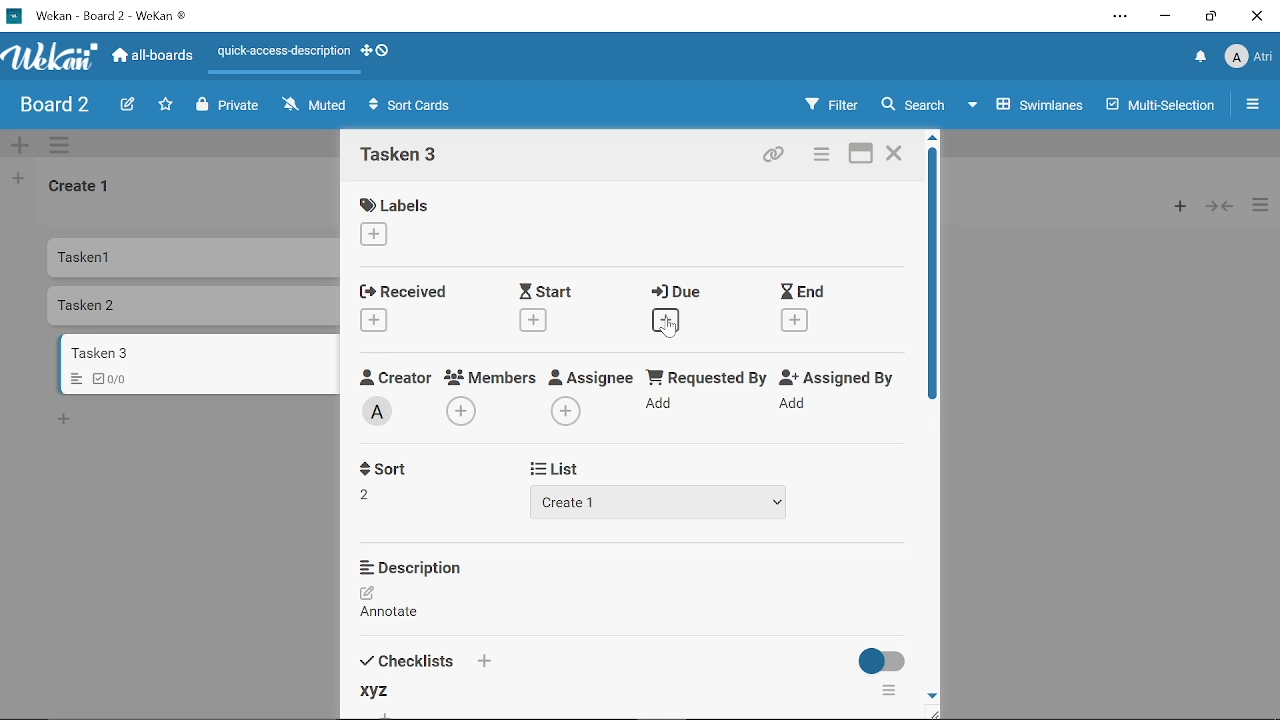  I want to click on Memebers, so click(488, 377).